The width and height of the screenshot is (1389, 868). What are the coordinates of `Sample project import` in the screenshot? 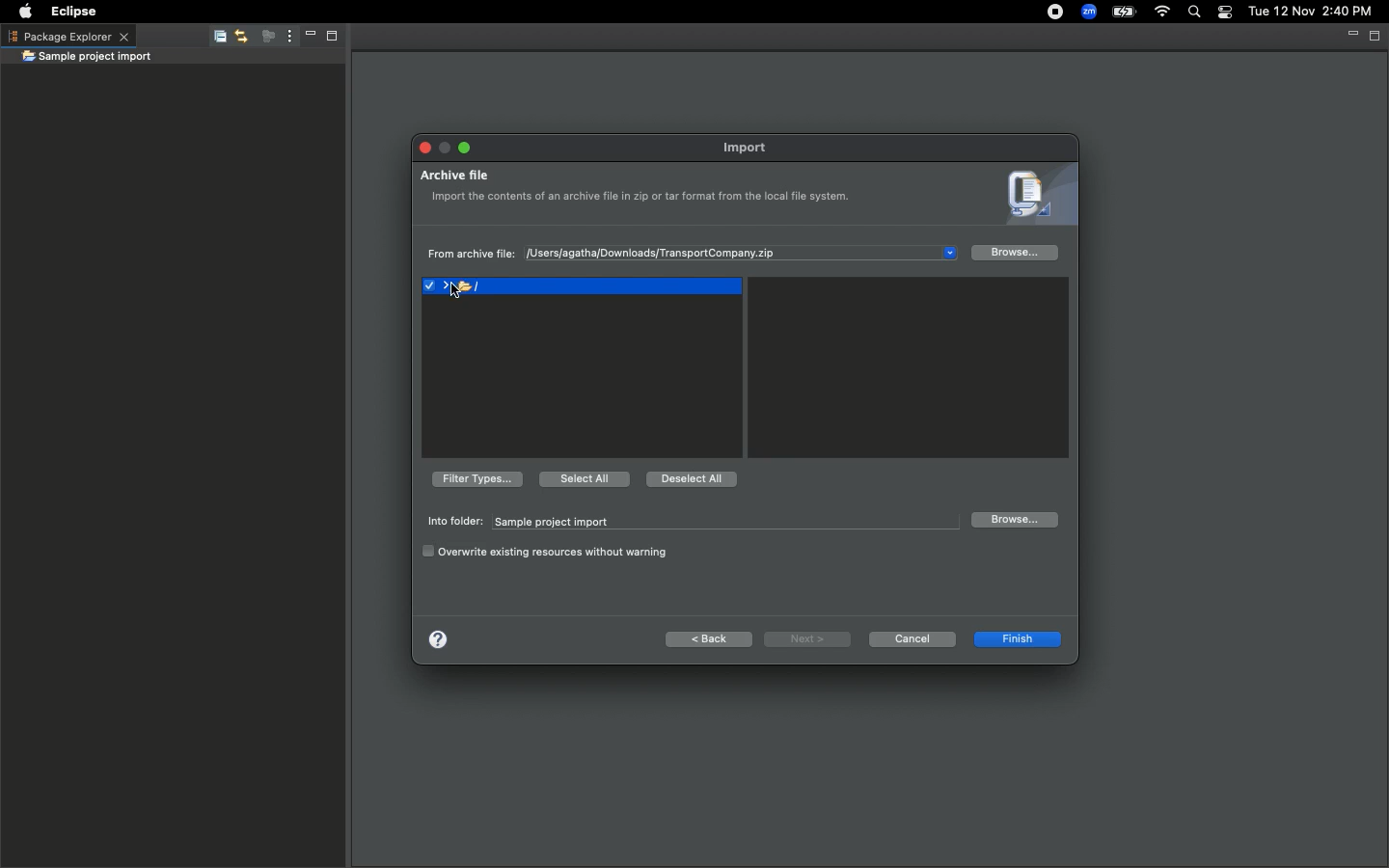 It's located at (87, 58).